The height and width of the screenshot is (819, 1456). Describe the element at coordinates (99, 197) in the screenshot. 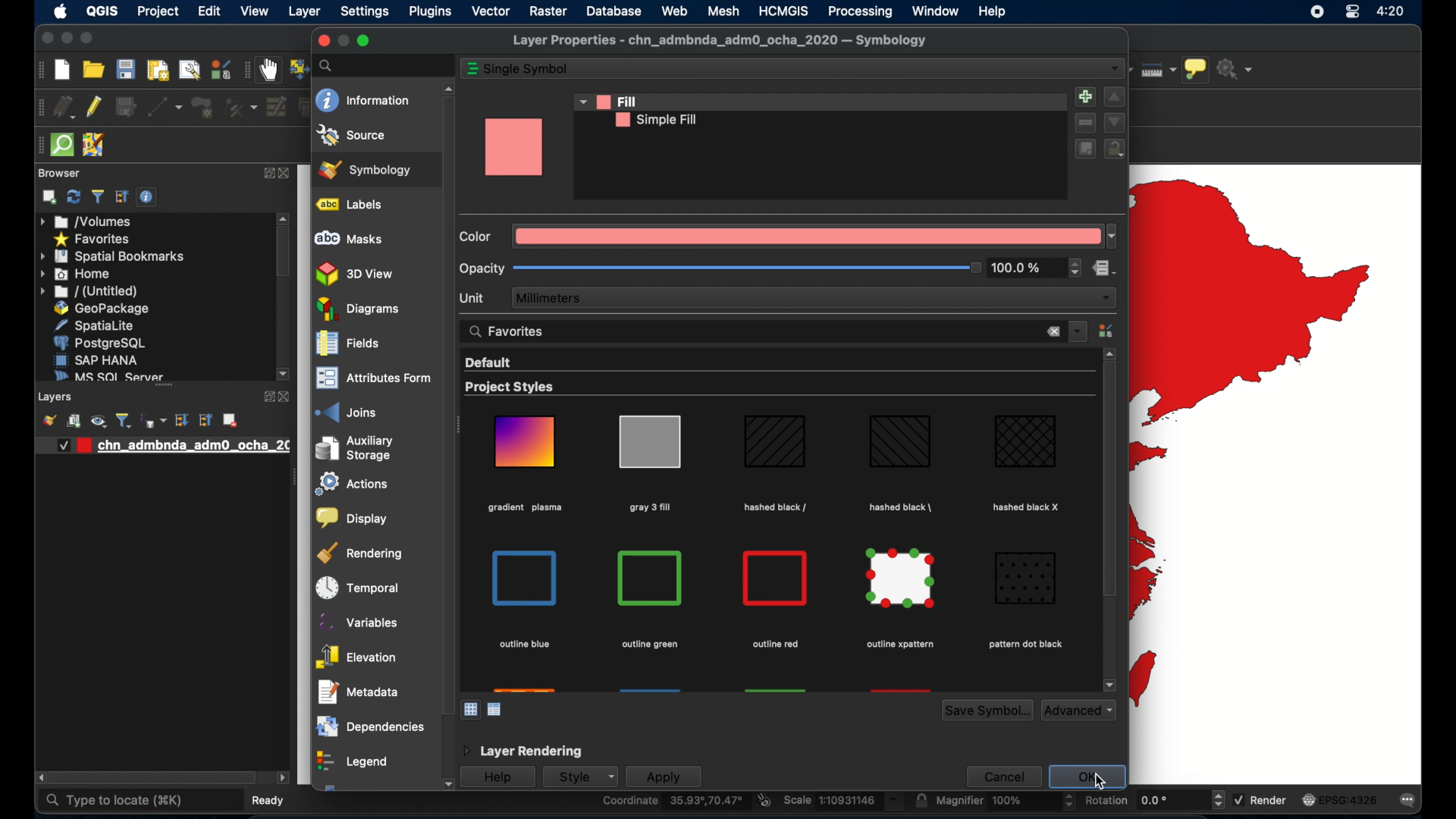

I see `filter browser` at that location.